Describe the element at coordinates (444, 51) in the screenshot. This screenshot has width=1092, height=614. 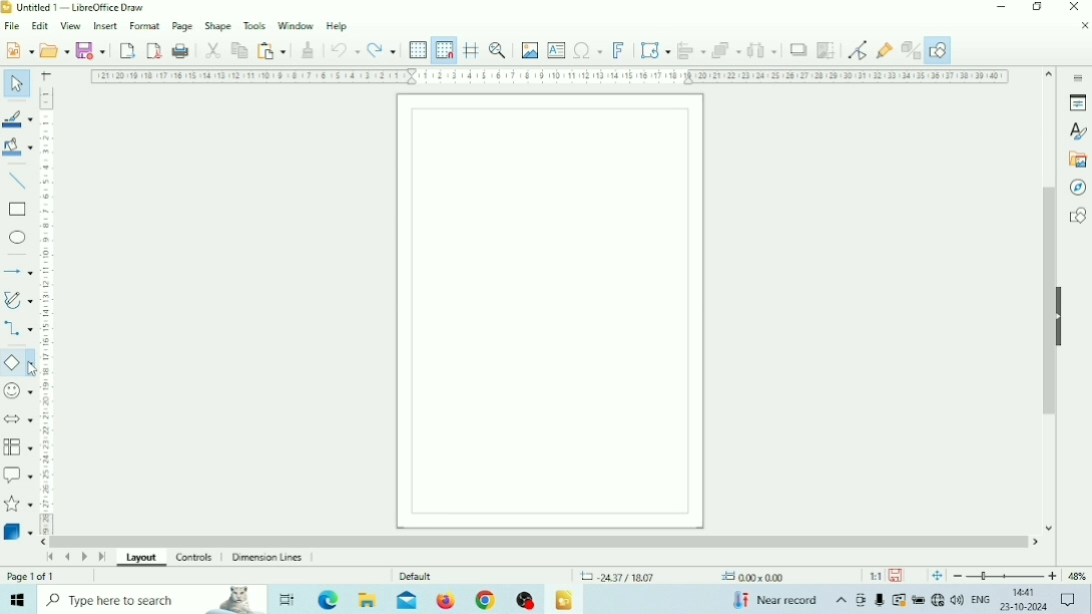
I see `Snap to Grid` at that location.